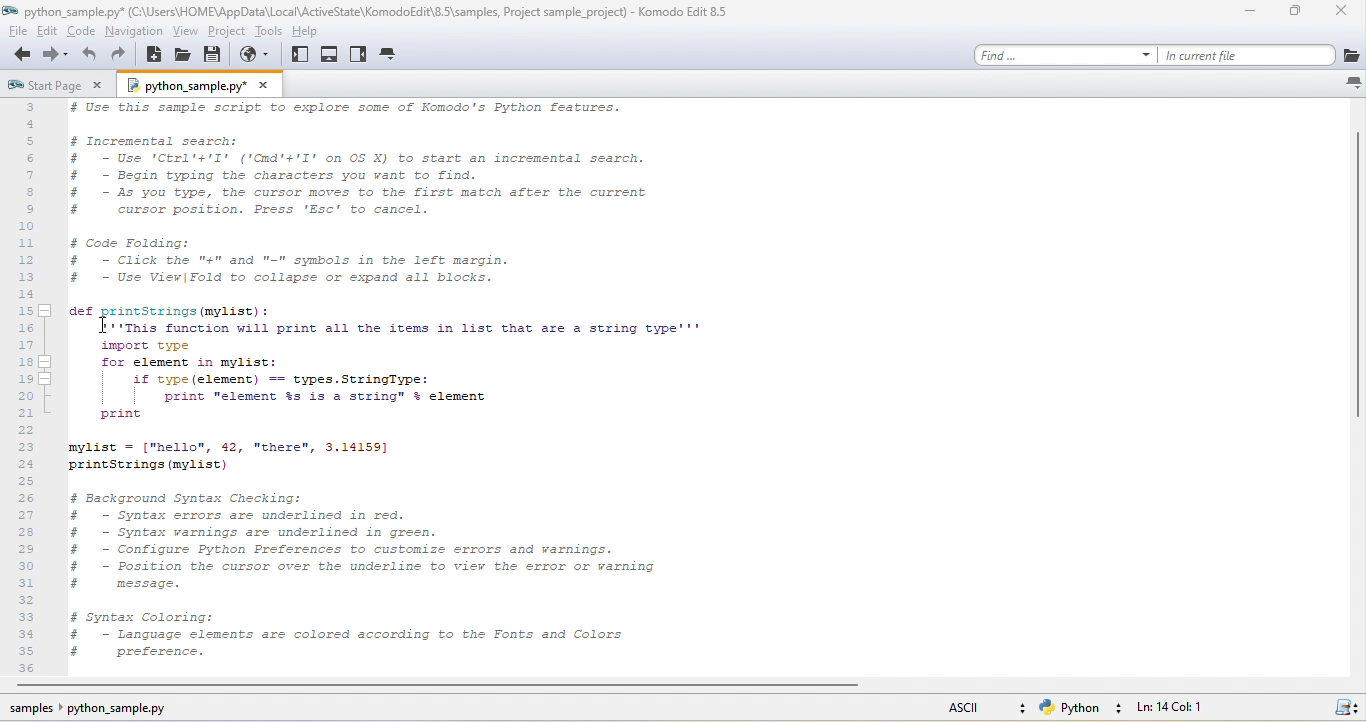 The height and width of the screenshot is (722, 1366). Describe the element at coordinates (1353, 269) in the screenshot. I see `vertical scroll bar` at that location.